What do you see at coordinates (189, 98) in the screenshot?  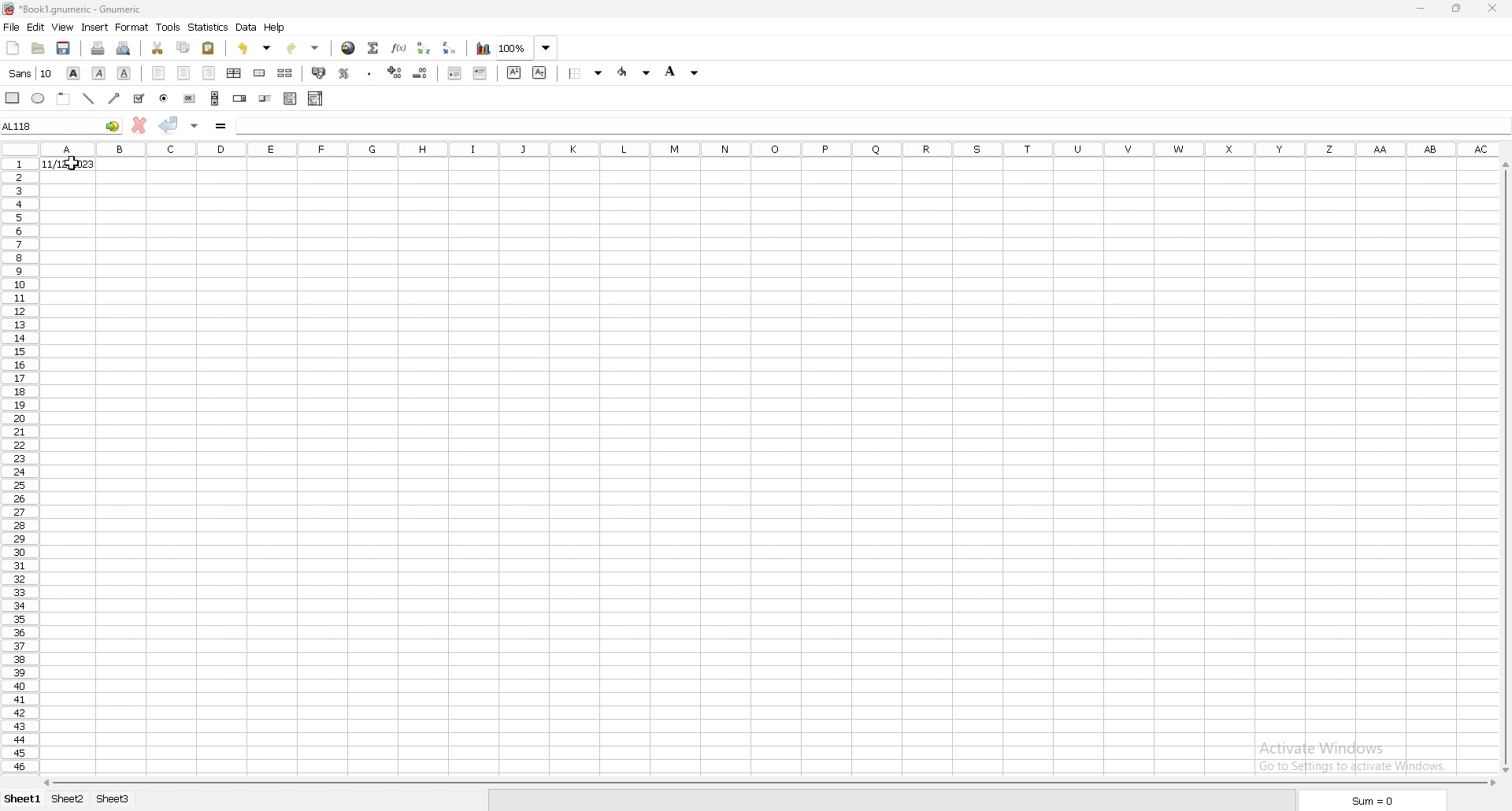 I see `button` at bounding box center [189, 98].